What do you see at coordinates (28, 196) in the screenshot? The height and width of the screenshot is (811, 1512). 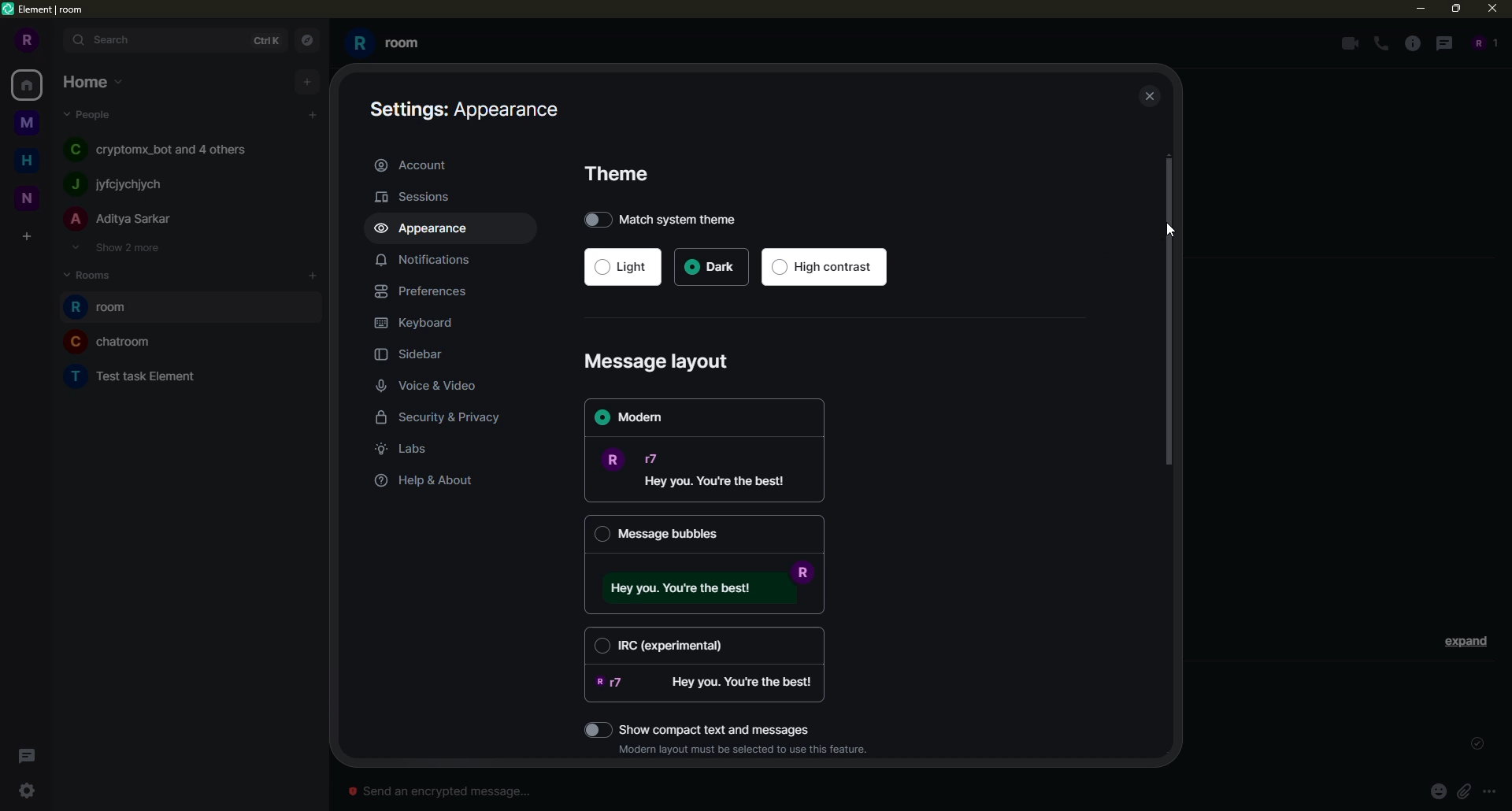 I see `space` at bounding box center [28, 196].